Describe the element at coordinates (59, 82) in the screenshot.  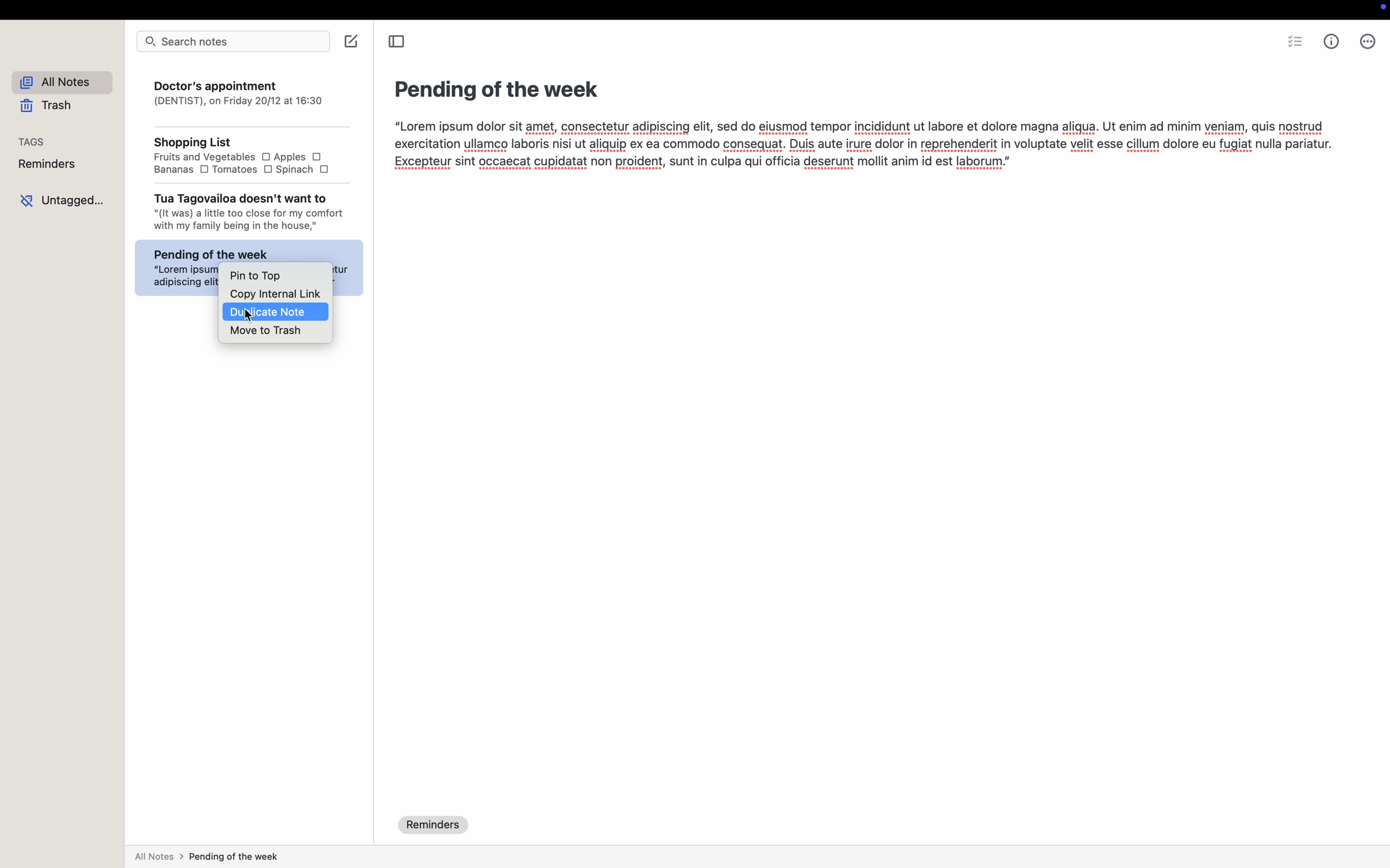
I see `all notes` at that location.